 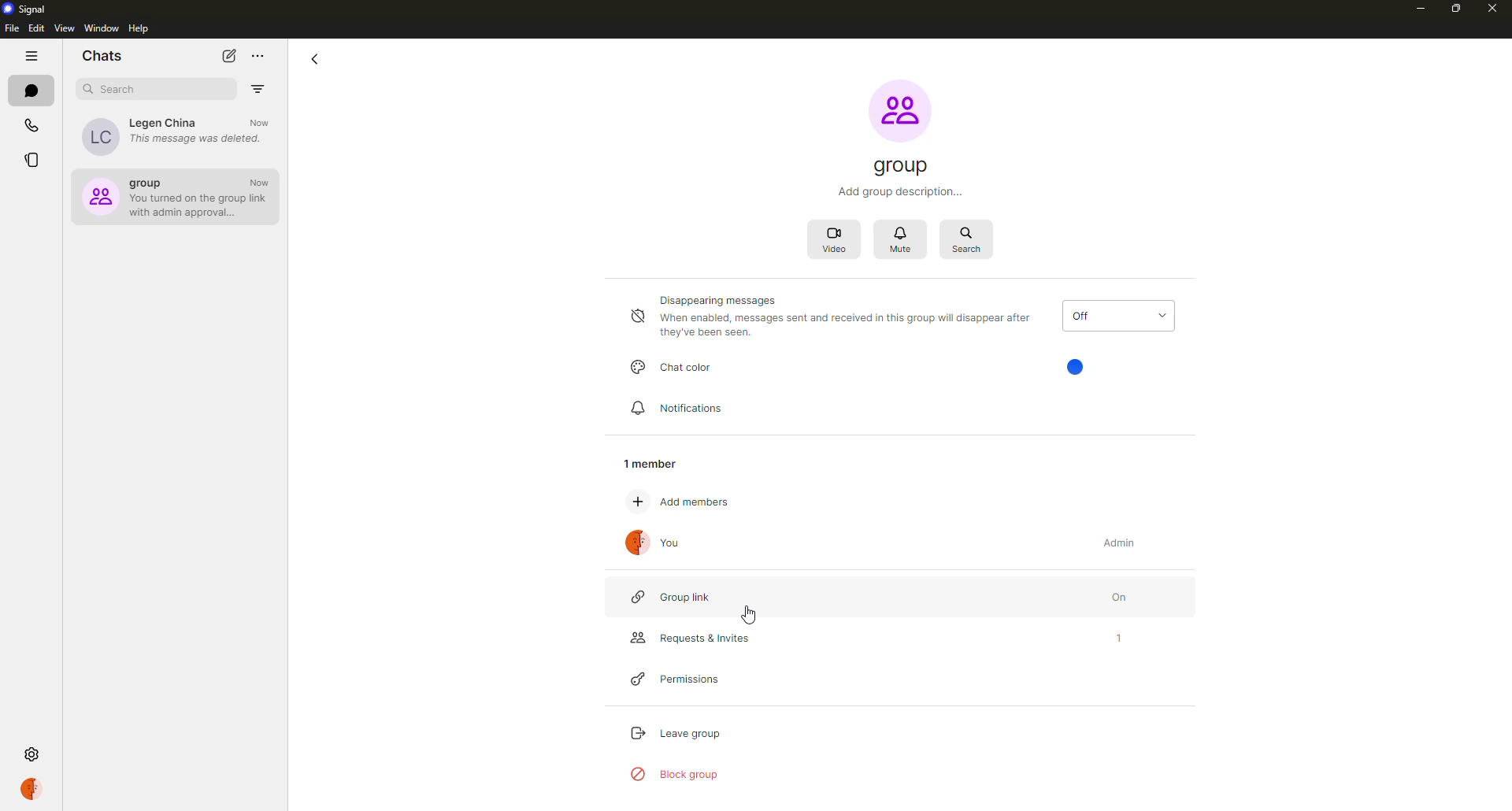 What do you see at coordinates (659, 543) in the screenshot?
I see `you` at bounding box center [659, 543].